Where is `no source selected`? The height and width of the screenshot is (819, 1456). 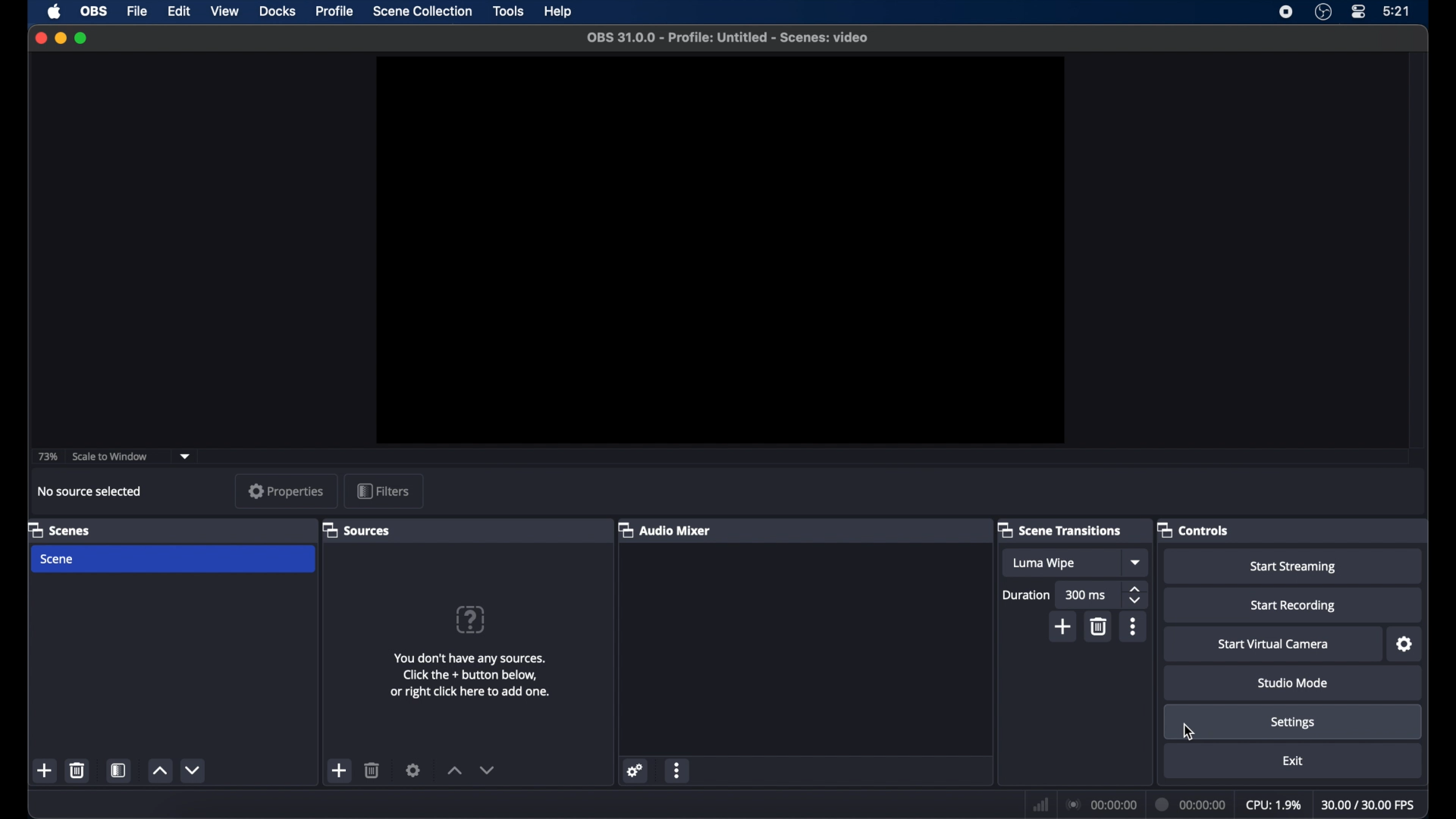 no source selected is located at coordinates (88, 491).